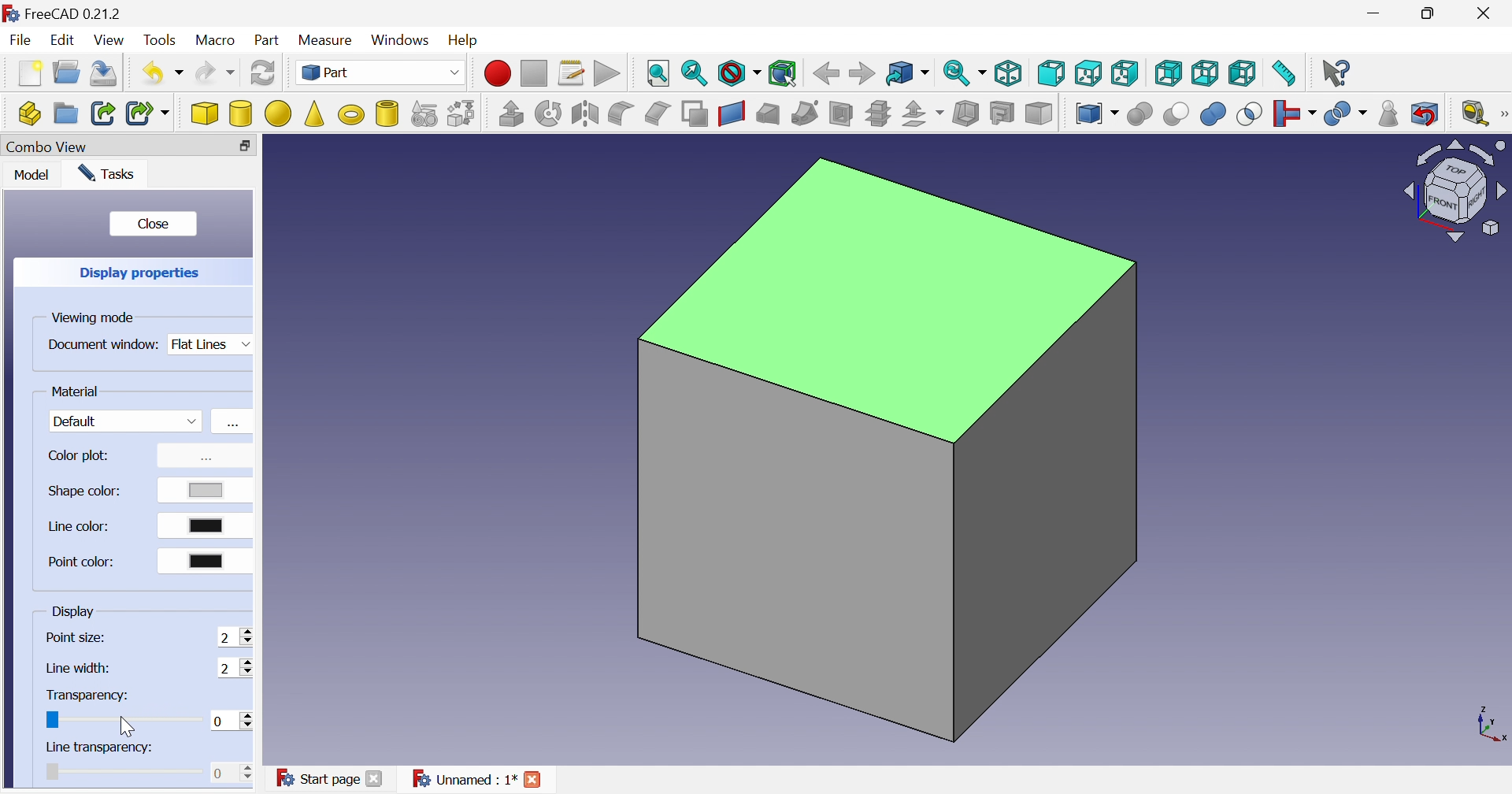 The image size is (1512, 794). What do you see at coordinates (496, 74) in the screenshot?
I see `Macro recording` at bounding box center [496, 74].